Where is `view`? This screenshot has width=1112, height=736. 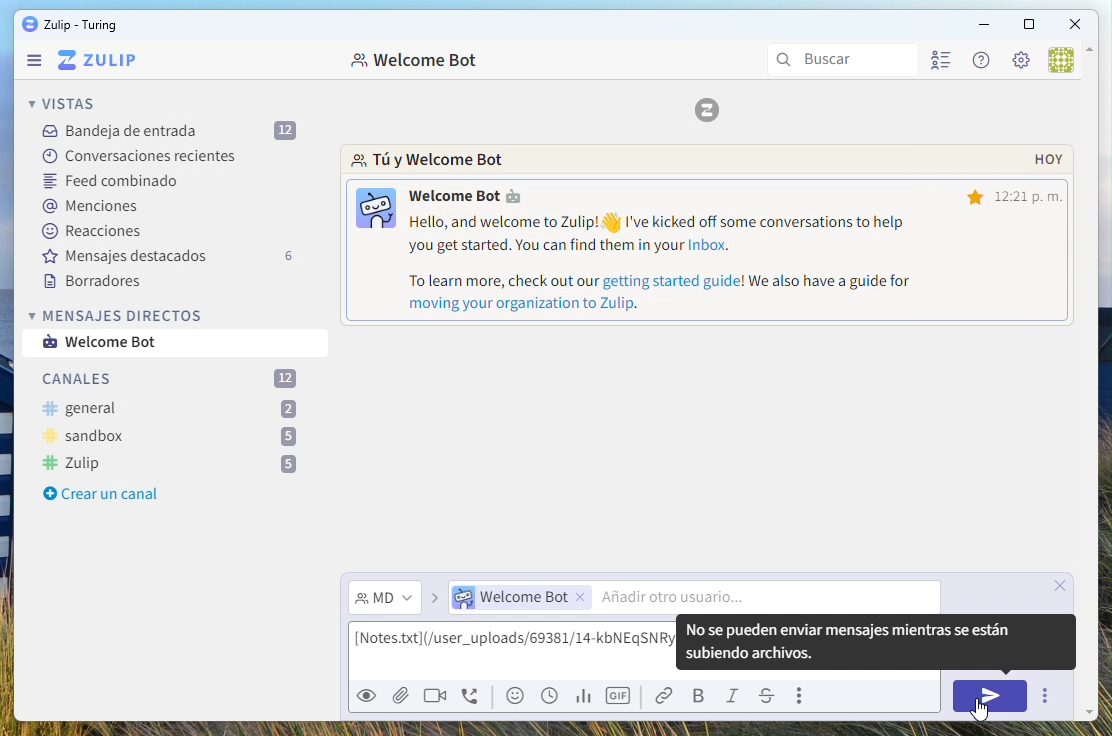 view is located at coordinates (365, 699).